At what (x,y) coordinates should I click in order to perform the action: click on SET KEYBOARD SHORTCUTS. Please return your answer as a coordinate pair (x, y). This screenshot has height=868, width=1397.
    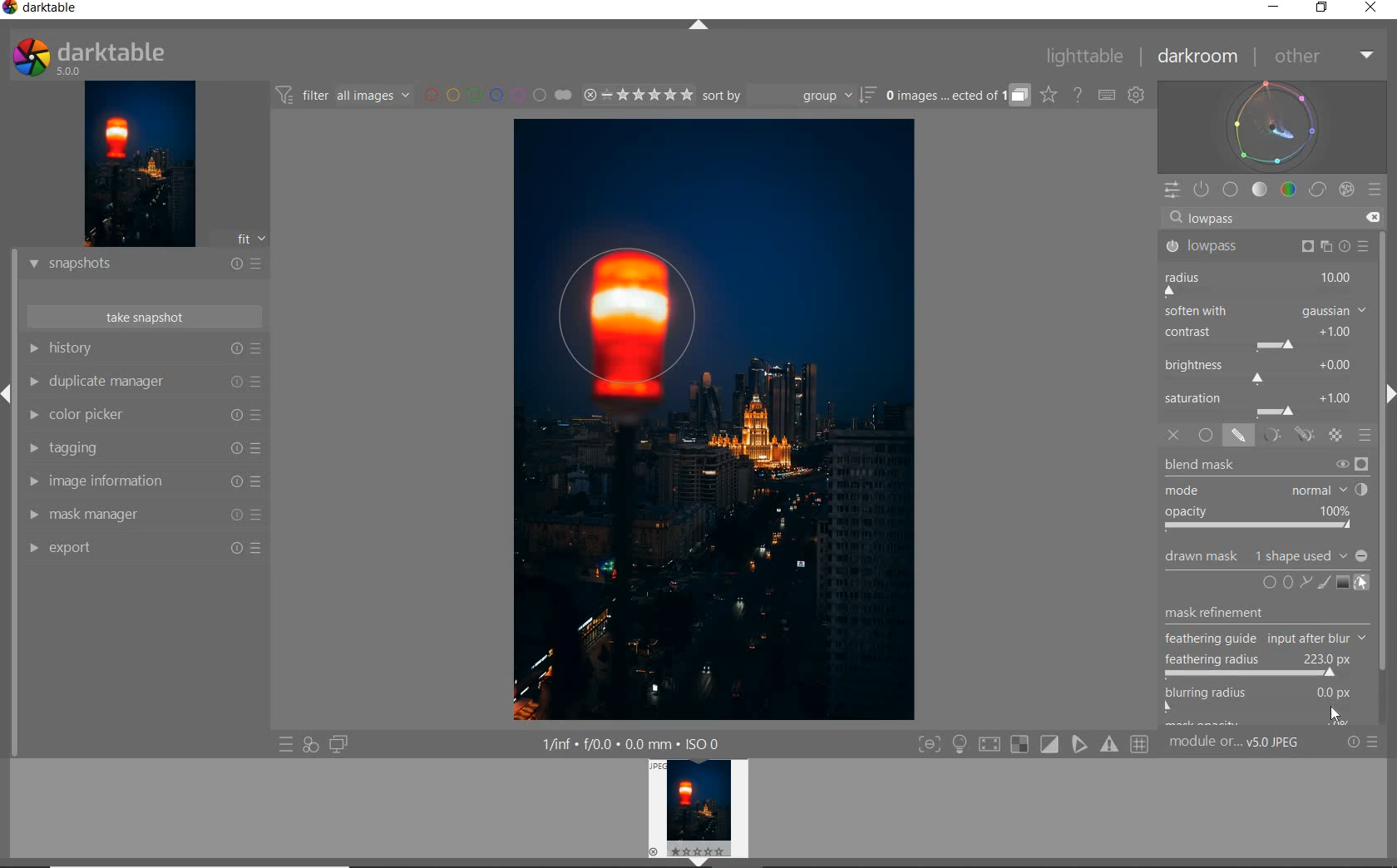
    Looking at the image, I should click on (1107, 95).